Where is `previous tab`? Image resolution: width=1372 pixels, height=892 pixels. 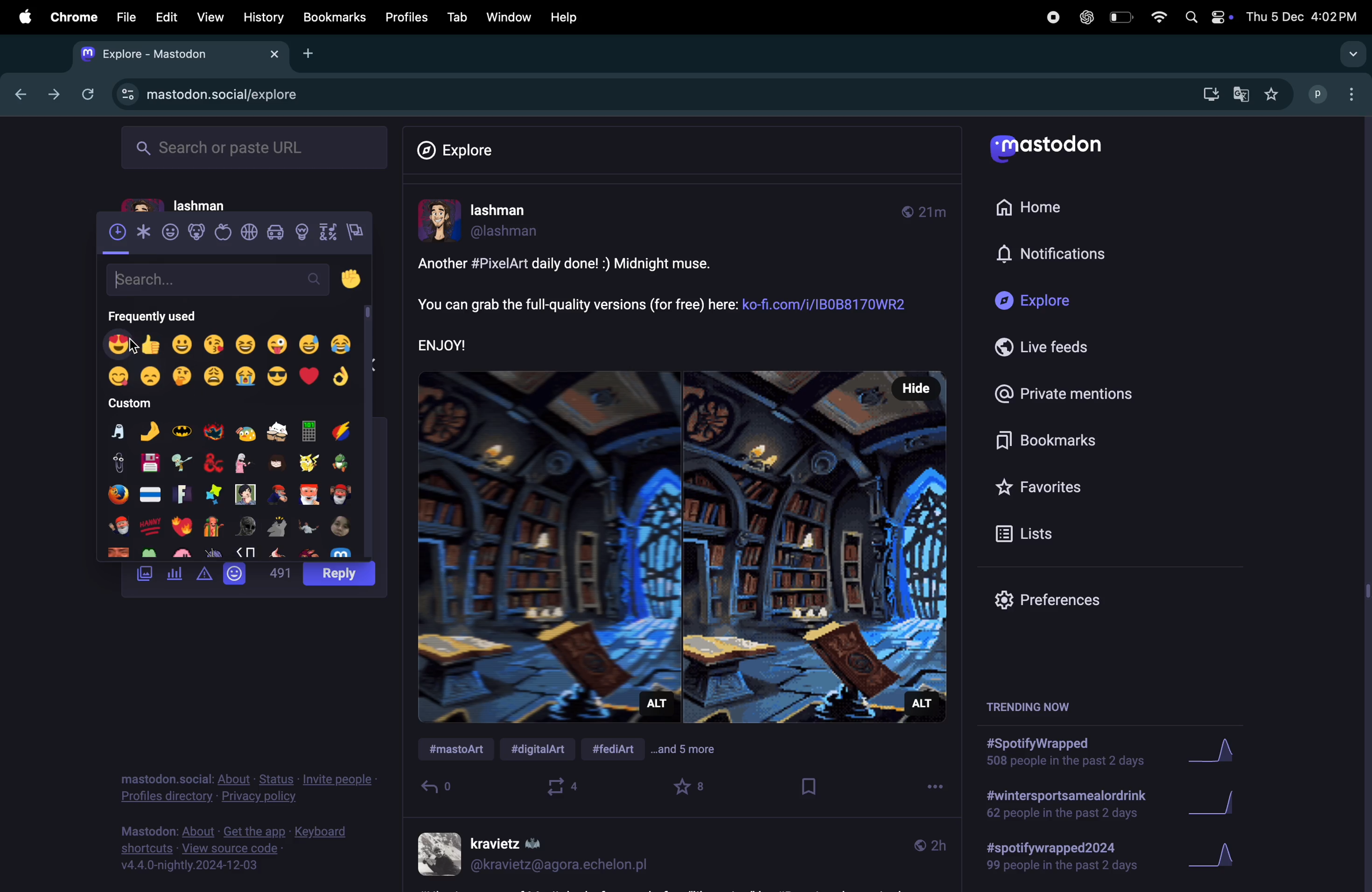 previous tab is located at coordinates (17, 96).